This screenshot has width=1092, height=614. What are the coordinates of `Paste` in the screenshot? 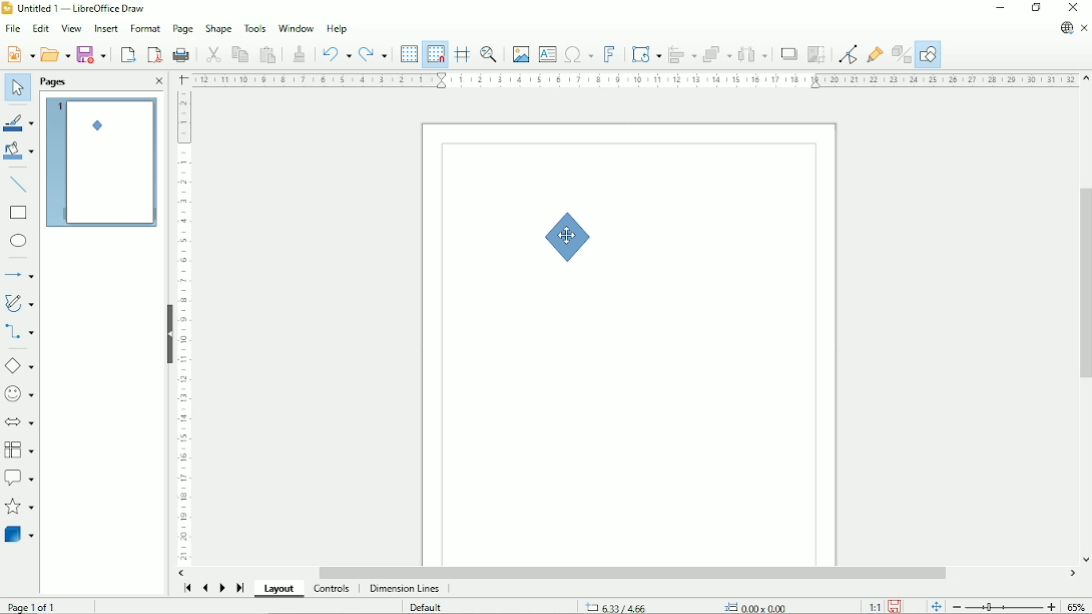 It's located at (269, 54).